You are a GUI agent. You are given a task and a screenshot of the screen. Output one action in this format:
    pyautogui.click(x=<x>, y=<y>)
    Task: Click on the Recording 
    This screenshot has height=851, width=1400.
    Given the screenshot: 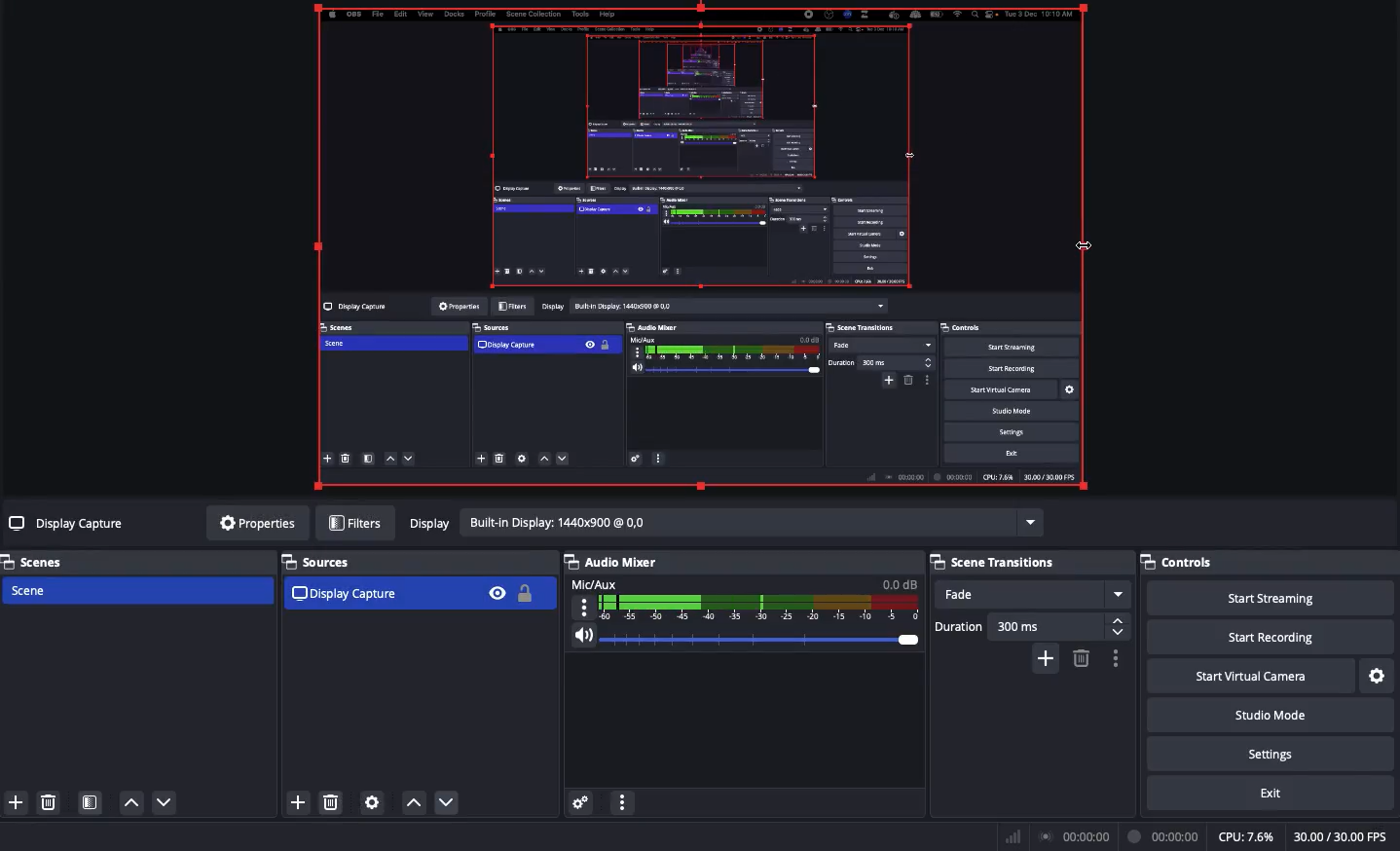 What is the action you would take?
    pyautogui.click(x=1164, y=836)
    